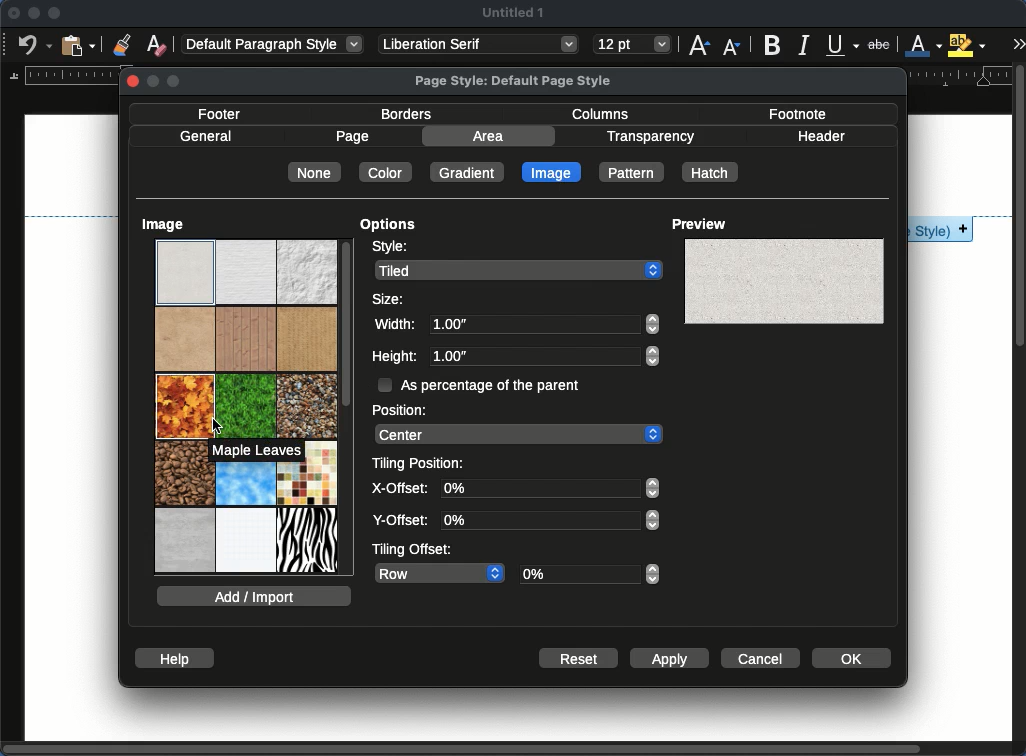 This screenshot has width=1026, height=756. What do you see at coordinates (672, 658) in the screenshot?
I see `apply` at bounding box center [672, 658].